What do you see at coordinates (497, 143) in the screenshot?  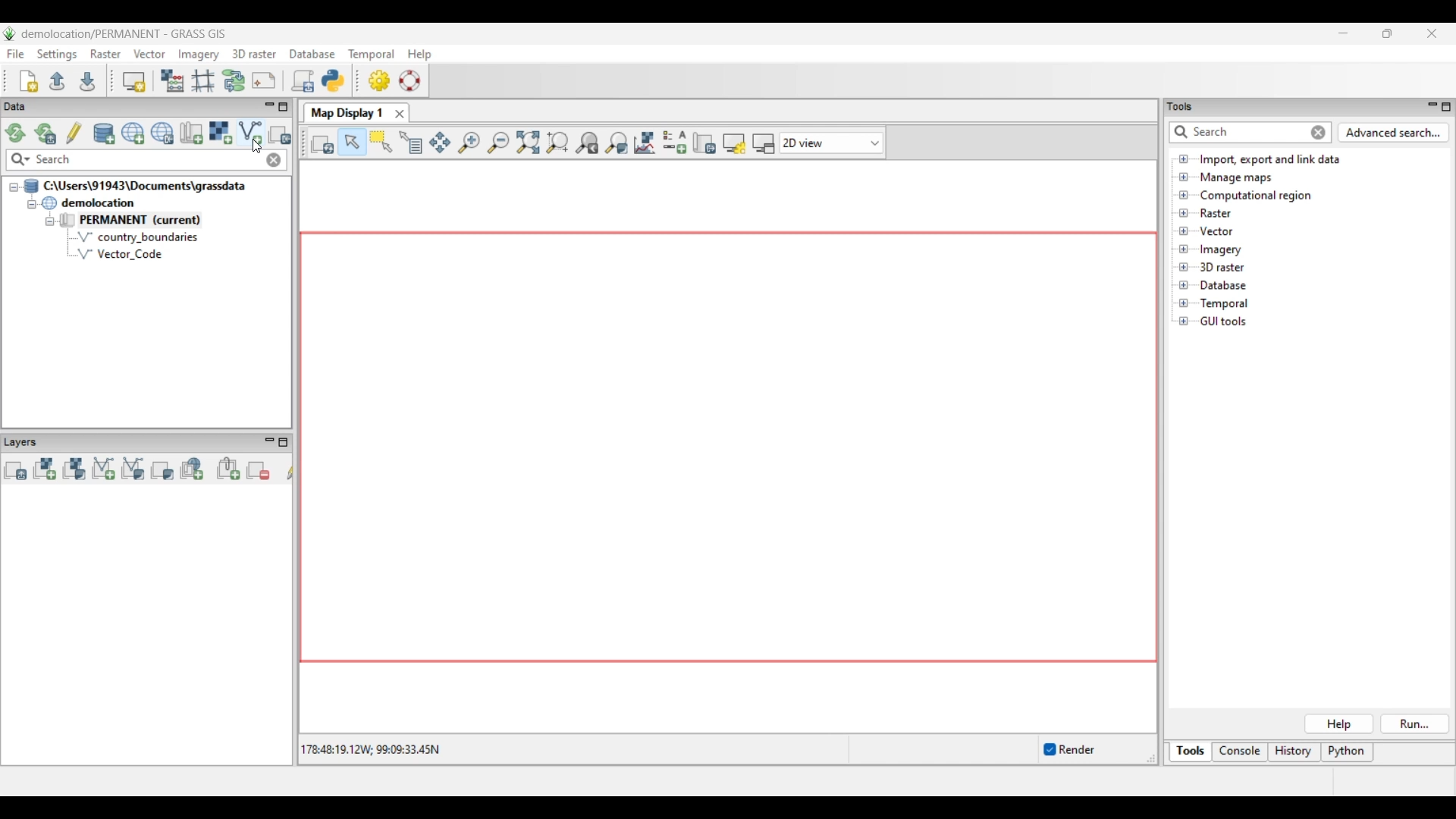 I see `Zoom out` at bounding box center [497, 143].